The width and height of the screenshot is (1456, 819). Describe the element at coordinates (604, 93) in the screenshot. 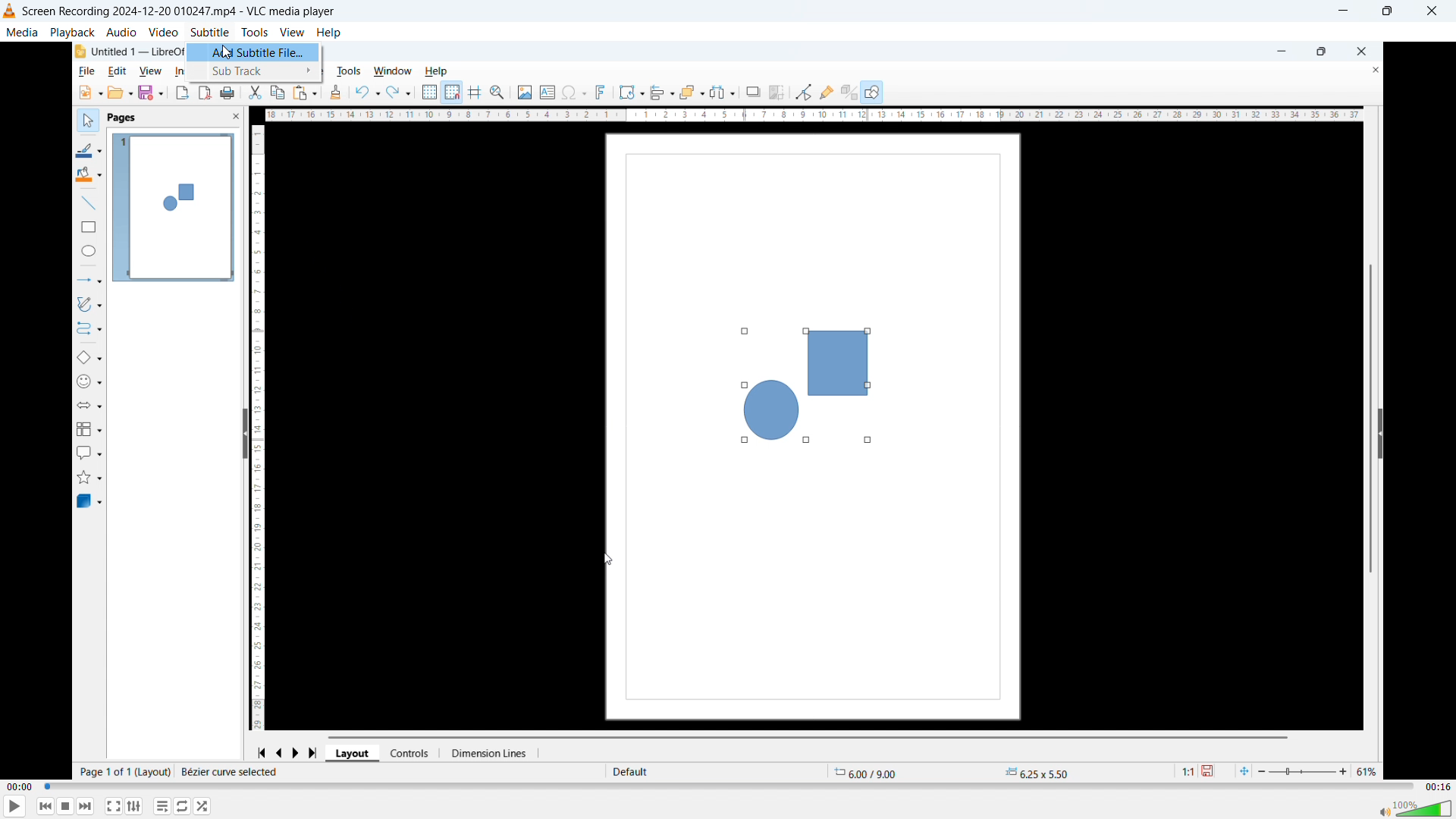

I see `fontwork text` at that location.